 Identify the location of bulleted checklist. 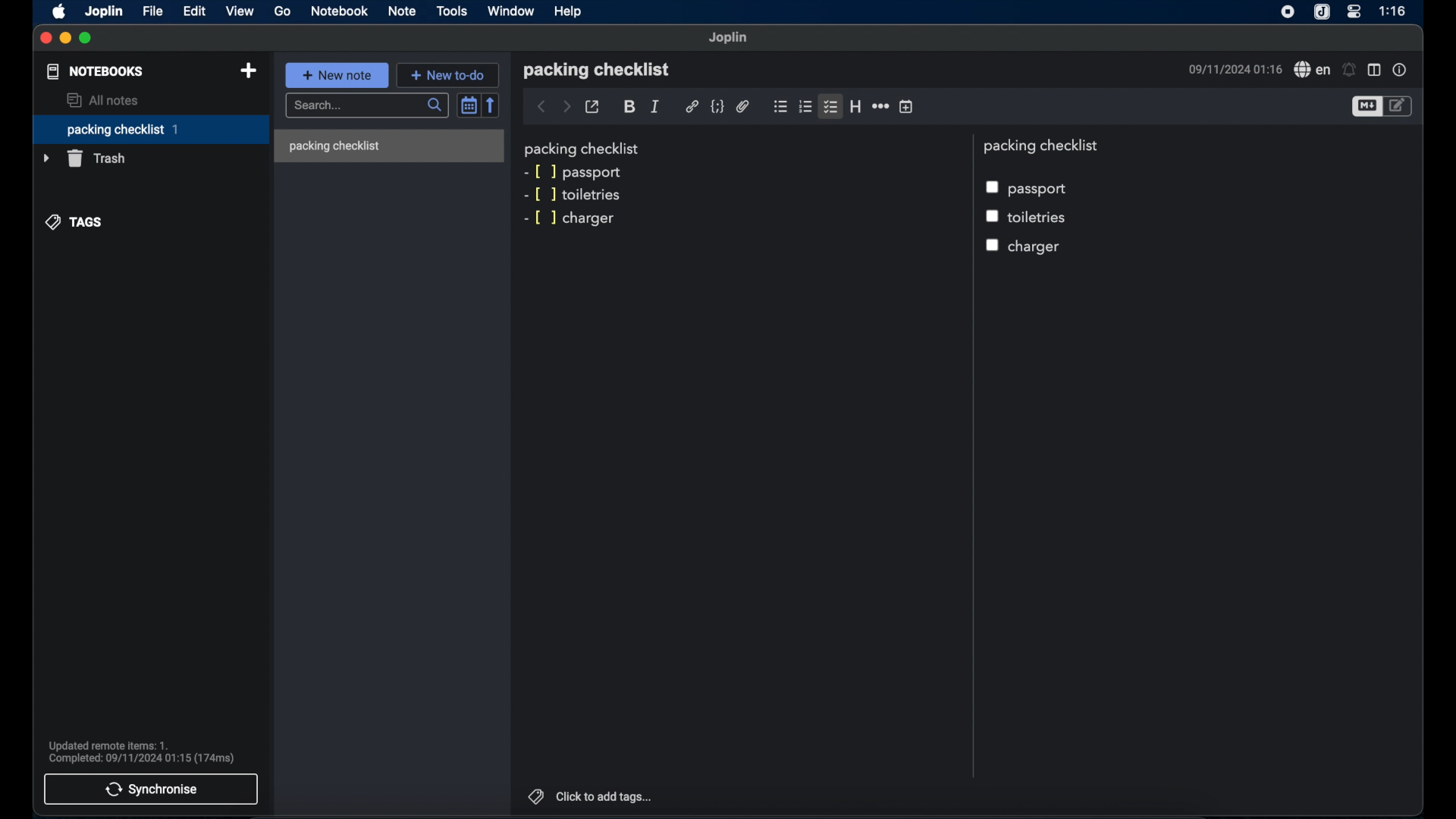
(830, 108).